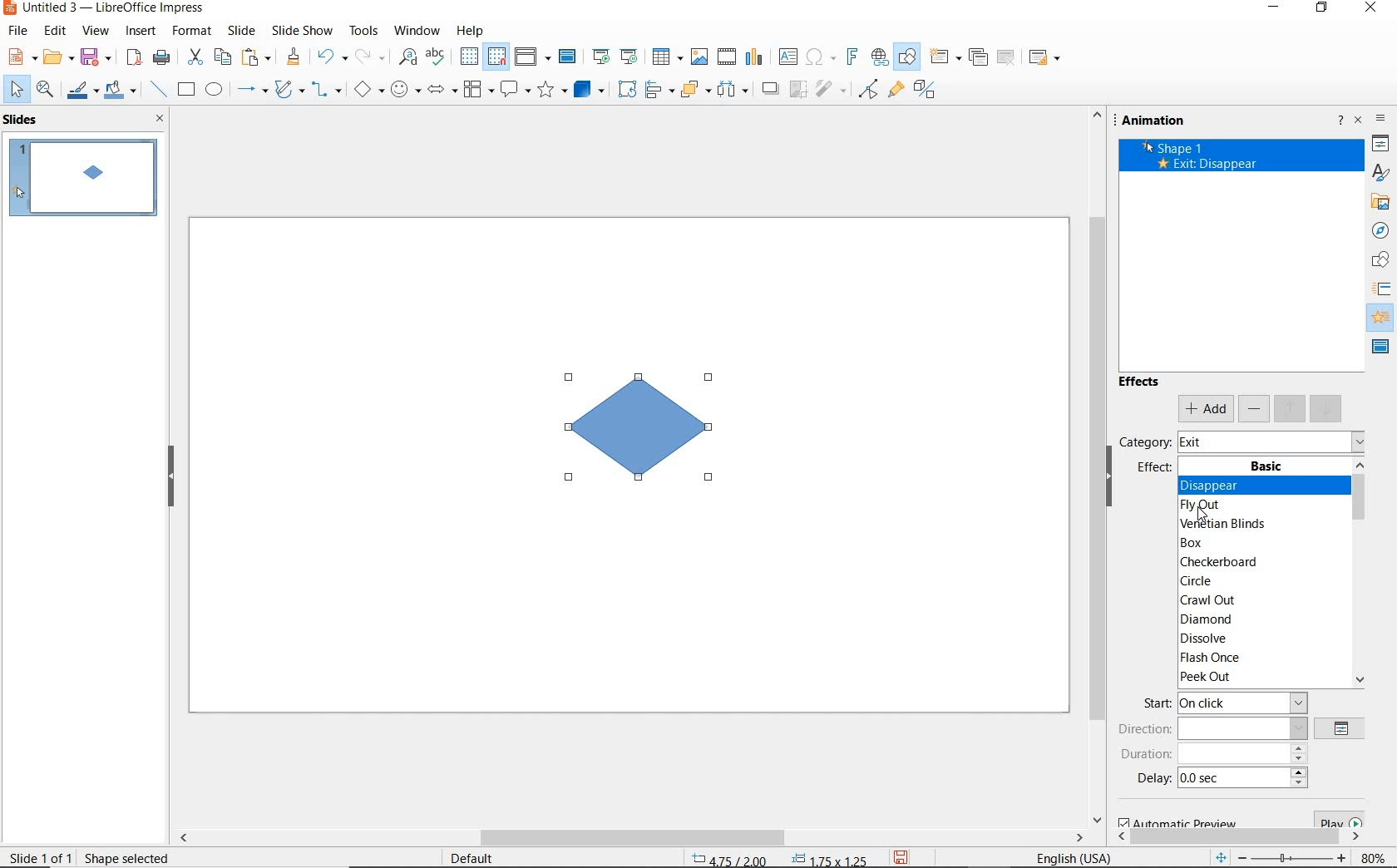  Describe the element at coordinates (1261, 581) in the screenshot. I see `circle` at that location.